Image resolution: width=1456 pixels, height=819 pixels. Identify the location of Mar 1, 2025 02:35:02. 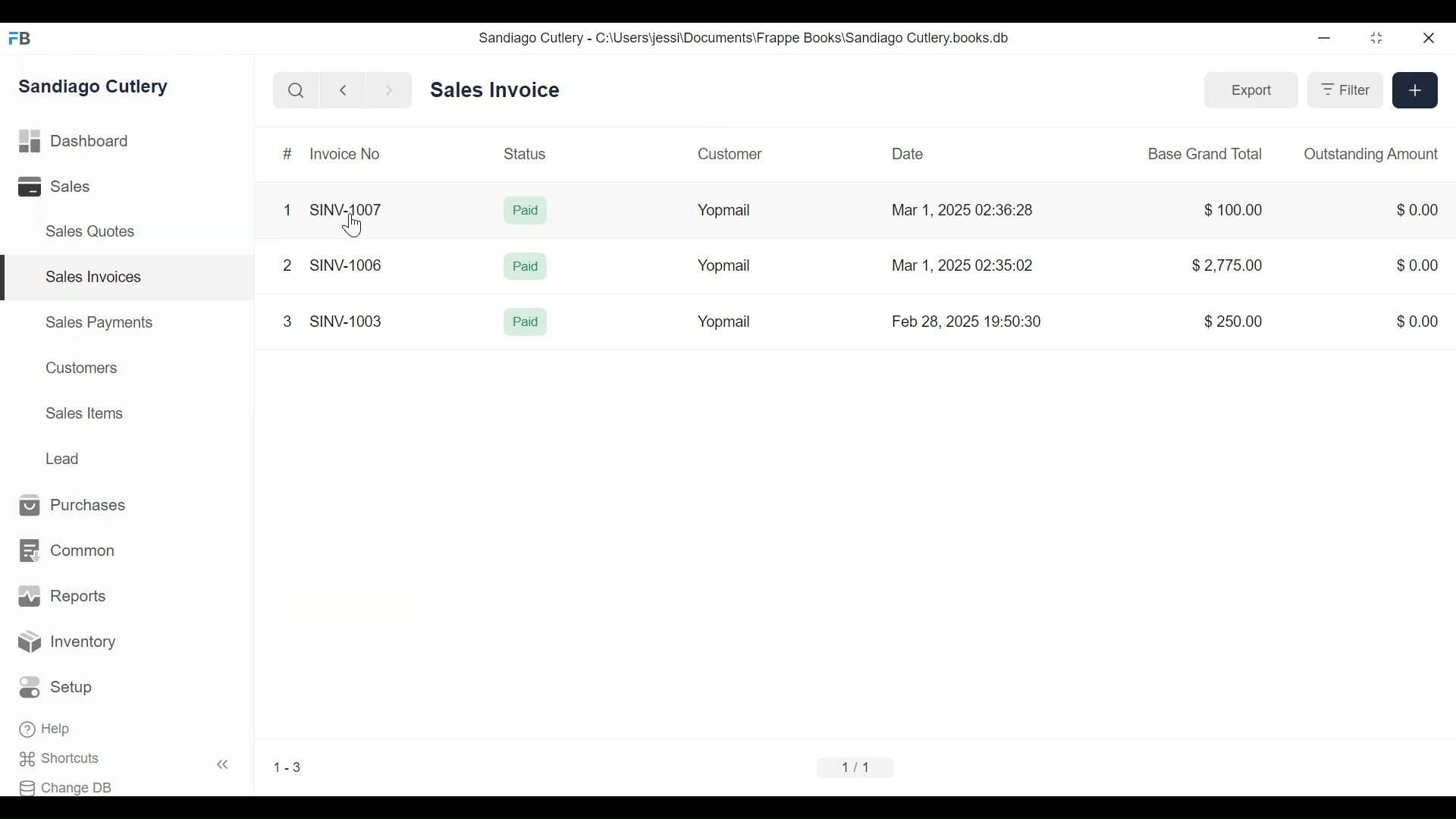
(964, 266).